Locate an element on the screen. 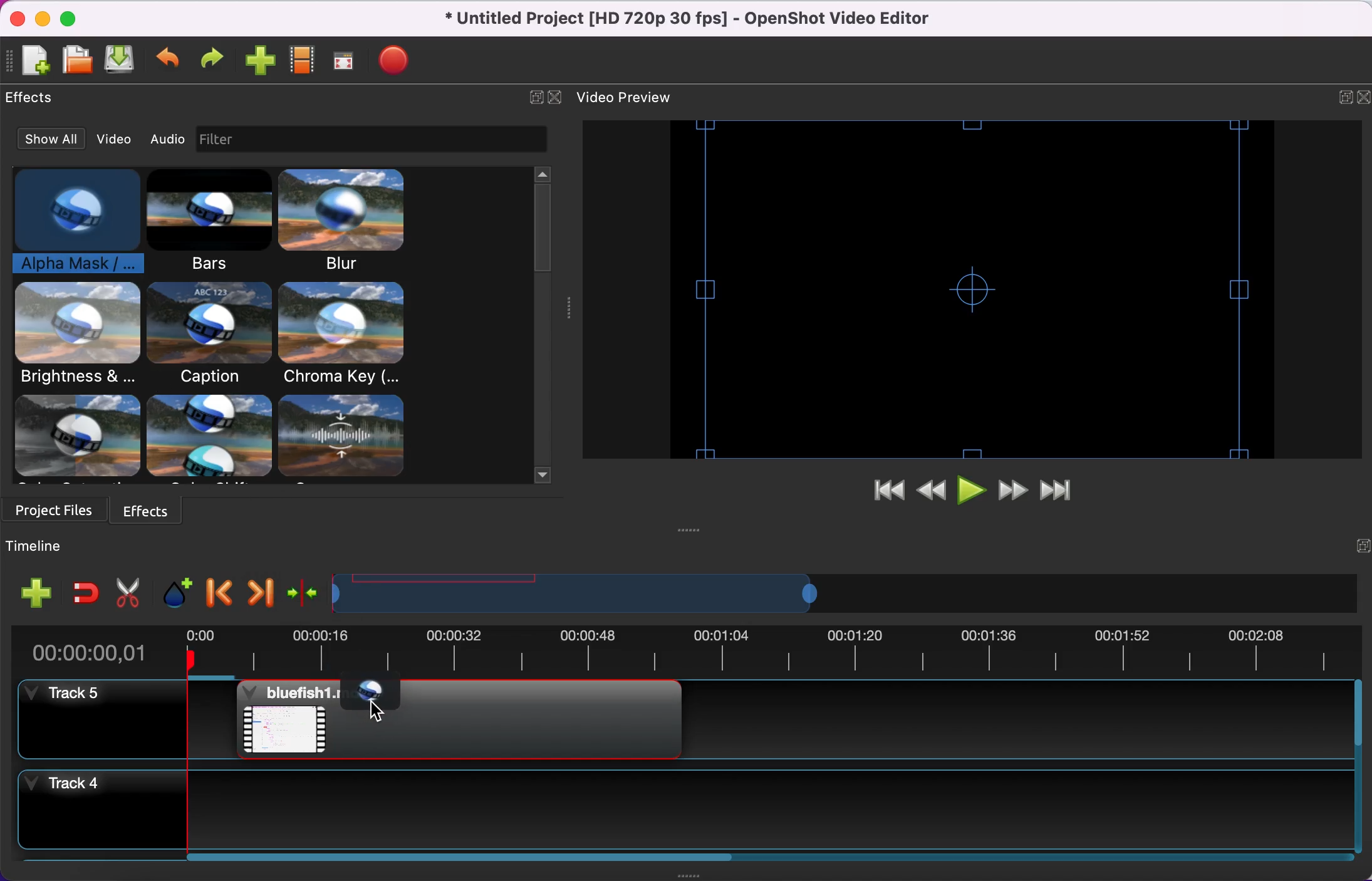 This screenshot has width=1372, height=881. chroma key is located at coordinates (345, 334).